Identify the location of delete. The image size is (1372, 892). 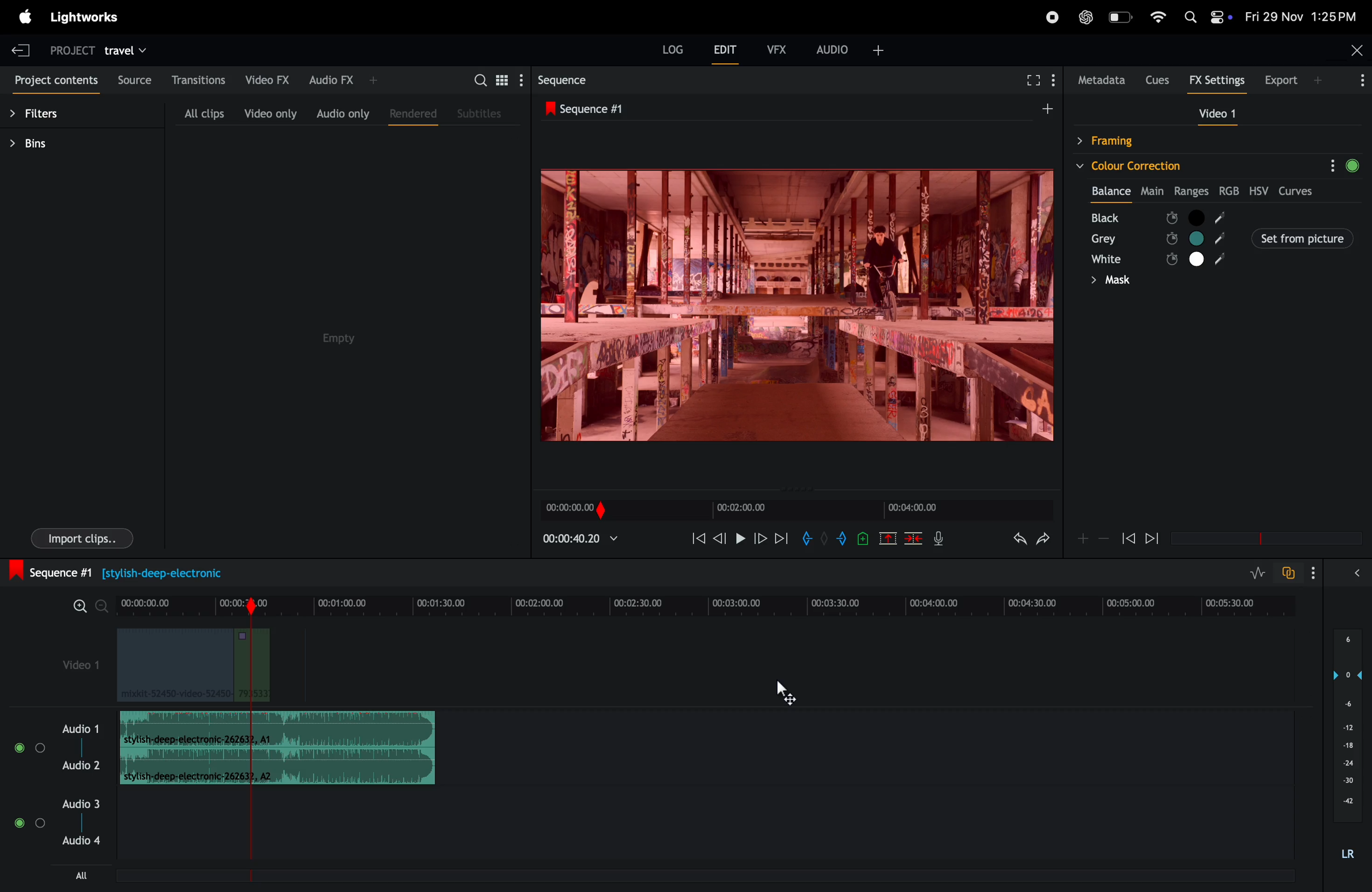
(914, 540).